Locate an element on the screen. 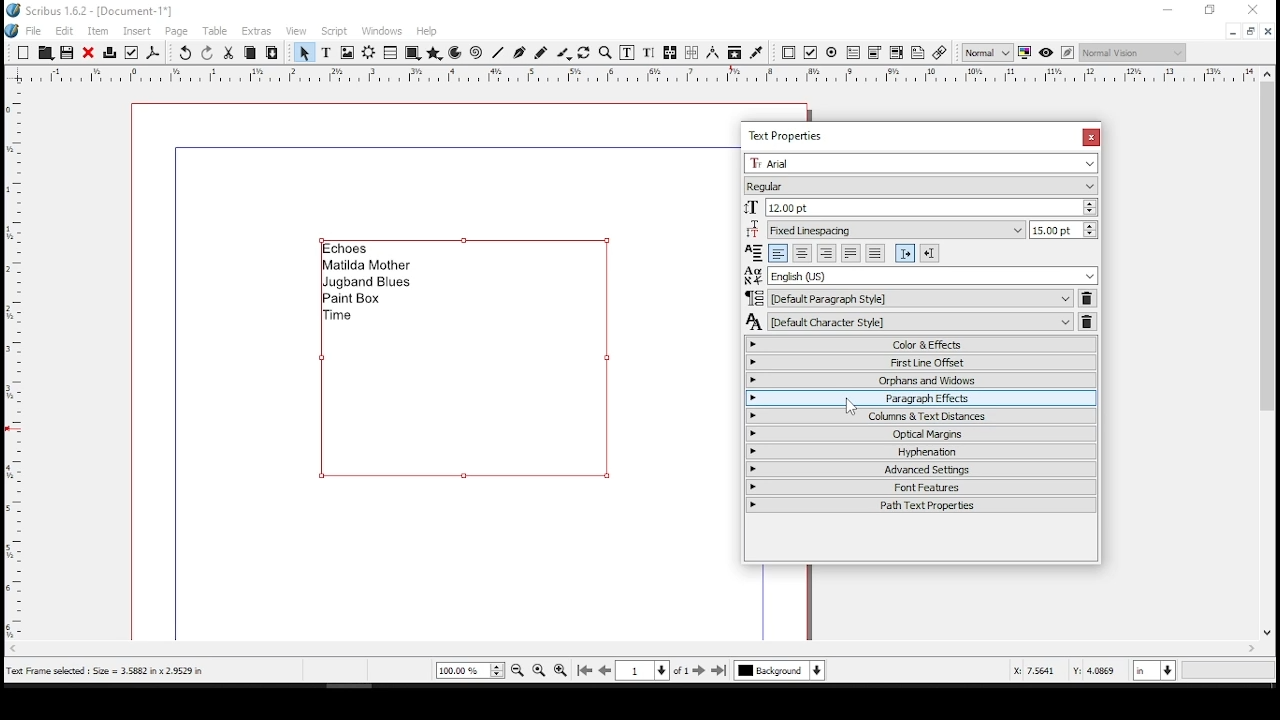 The image size is (1280, 720). edit text with story editor is located at coordinates (645, 53).